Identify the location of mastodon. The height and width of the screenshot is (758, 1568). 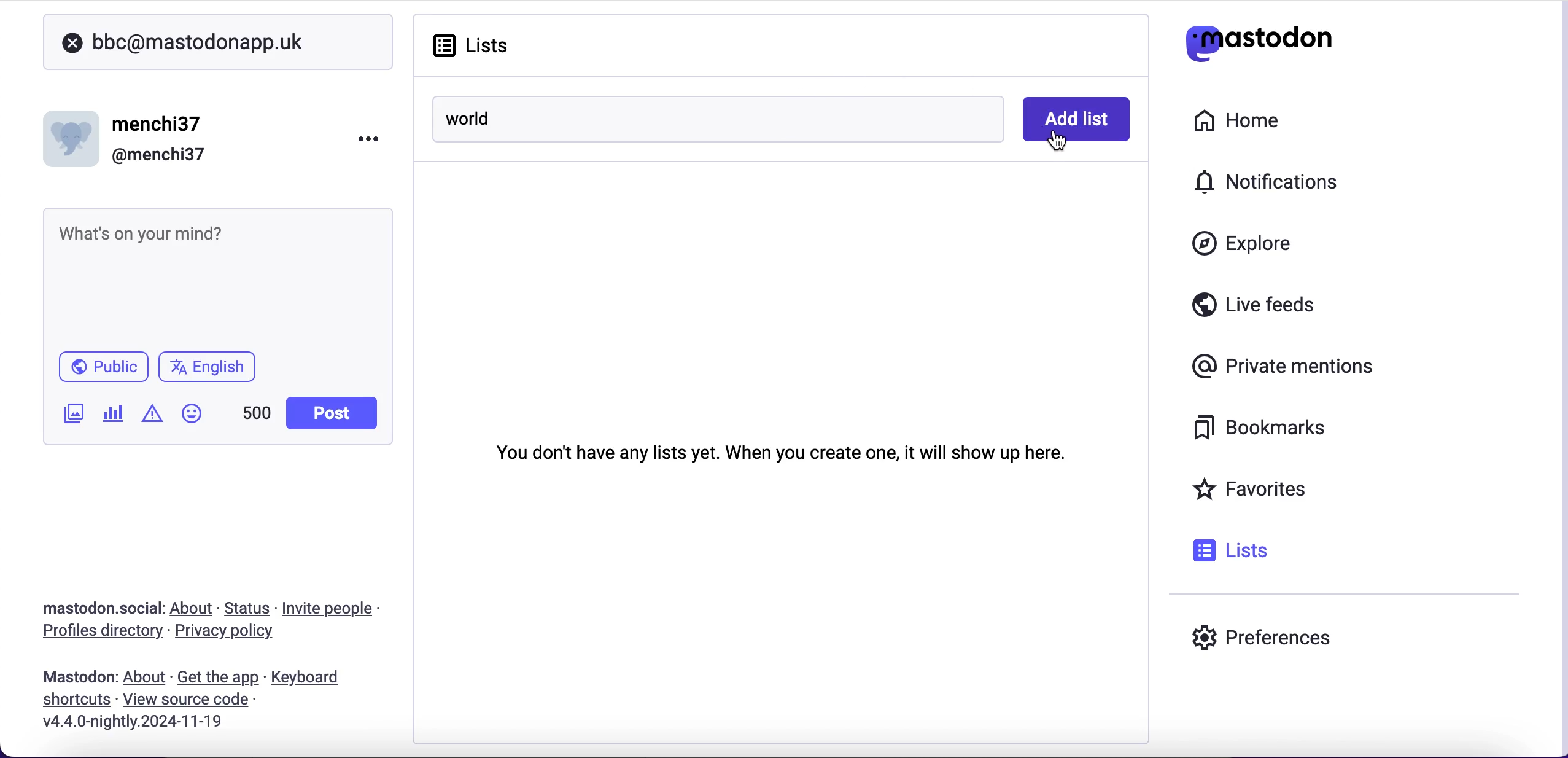
(79, 677).